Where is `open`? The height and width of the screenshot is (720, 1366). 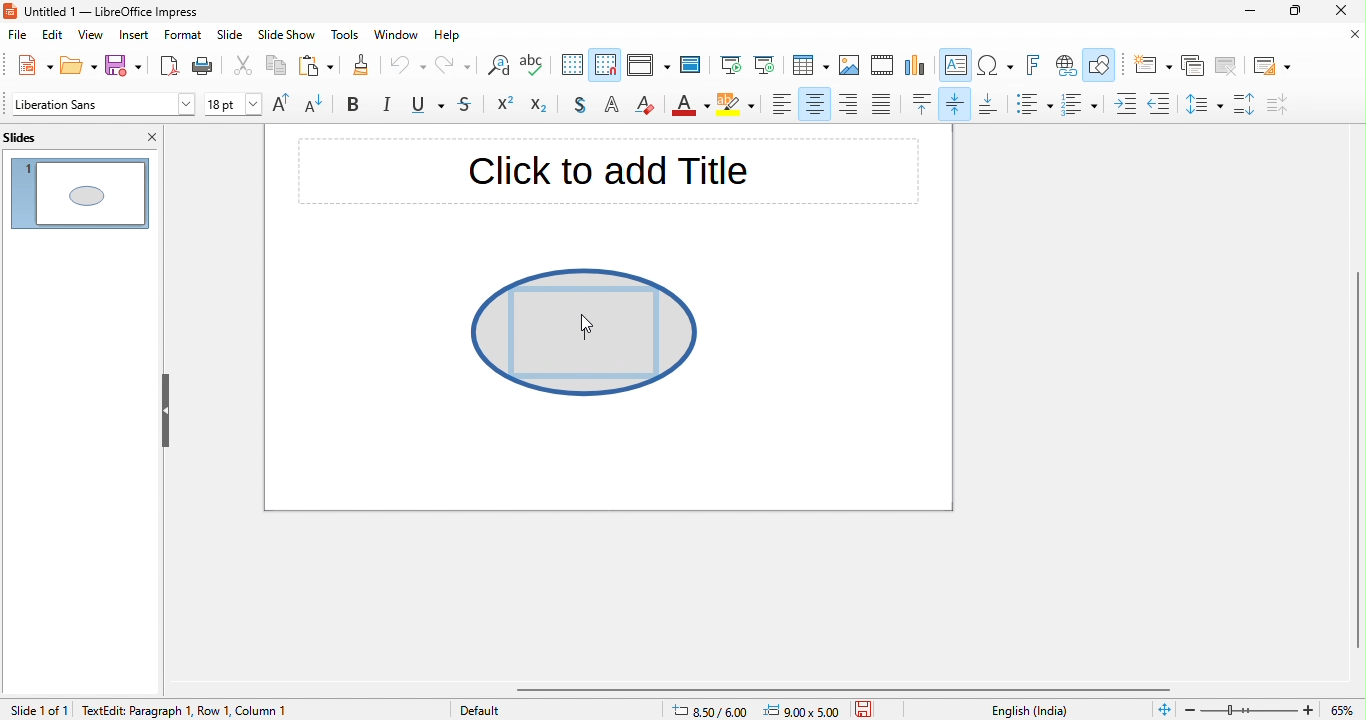
open is located at coordinates (76, 66).